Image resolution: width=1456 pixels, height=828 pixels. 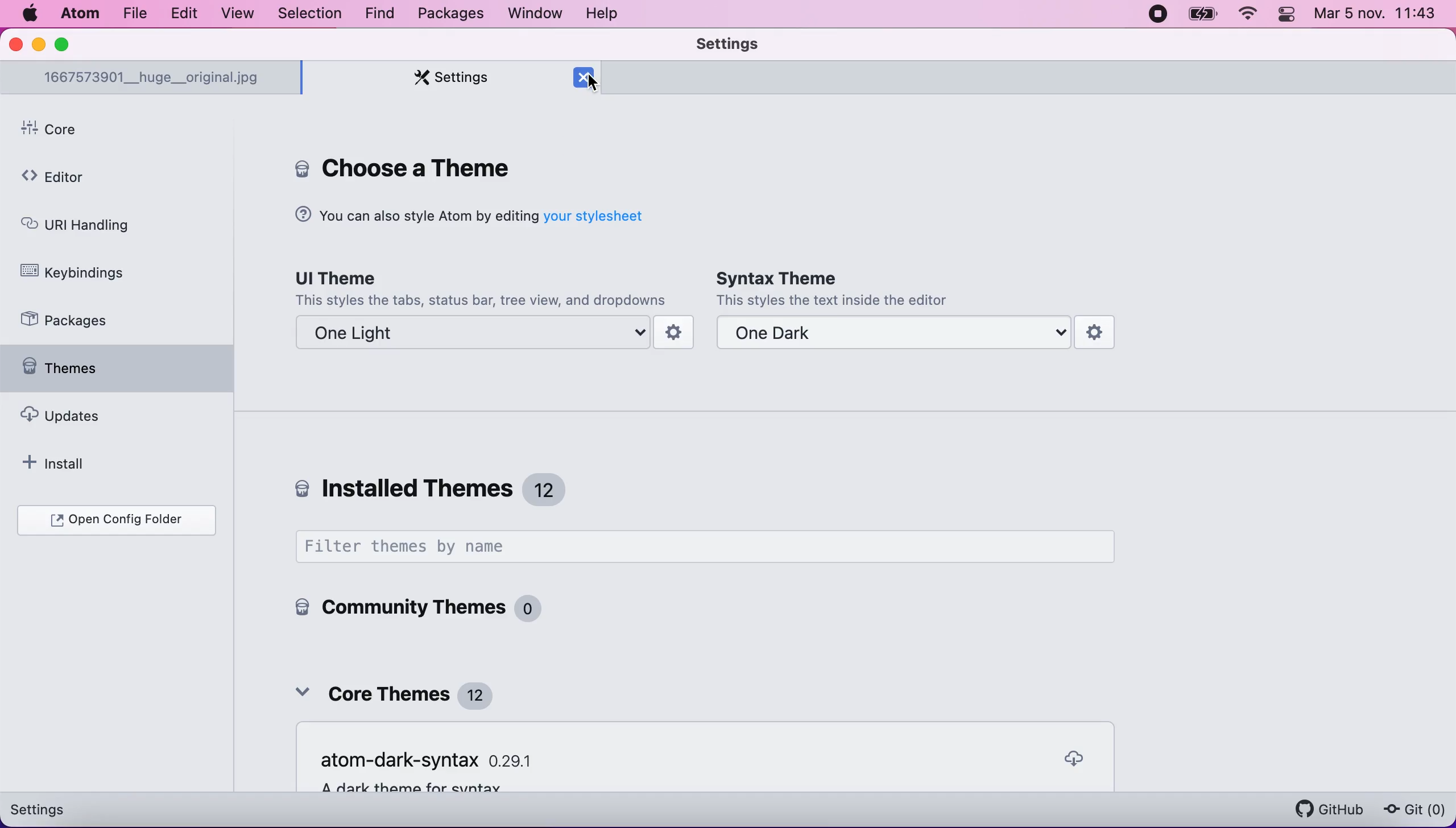 I want to click on settings, so click(x=447, y=81).